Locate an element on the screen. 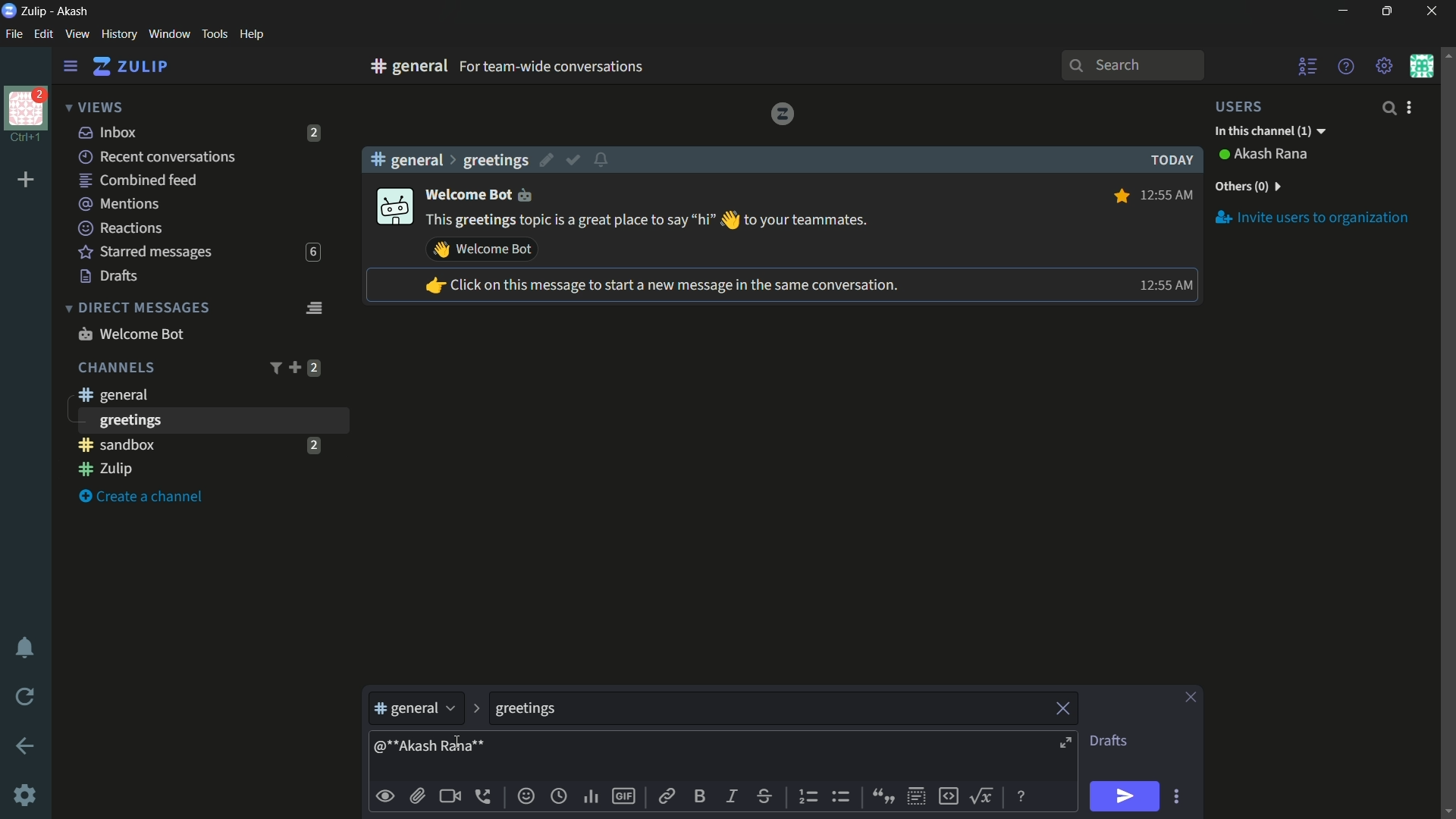 This screenshot has width=1456, height=819. general channel is located at coordinates (416, 712).